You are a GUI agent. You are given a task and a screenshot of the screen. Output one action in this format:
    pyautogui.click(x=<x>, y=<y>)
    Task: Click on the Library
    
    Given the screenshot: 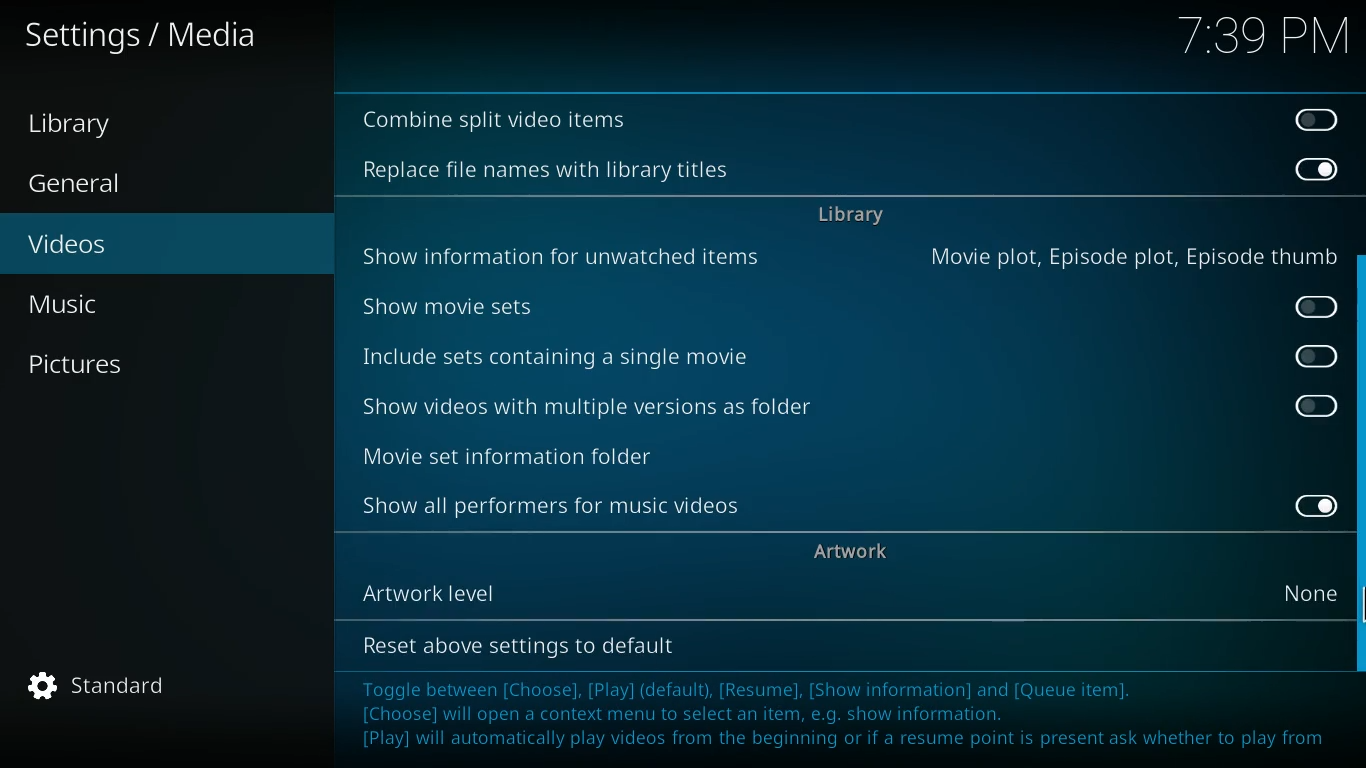 What is the action you would take?
    pyautogui.click(x=89, y=125)
    